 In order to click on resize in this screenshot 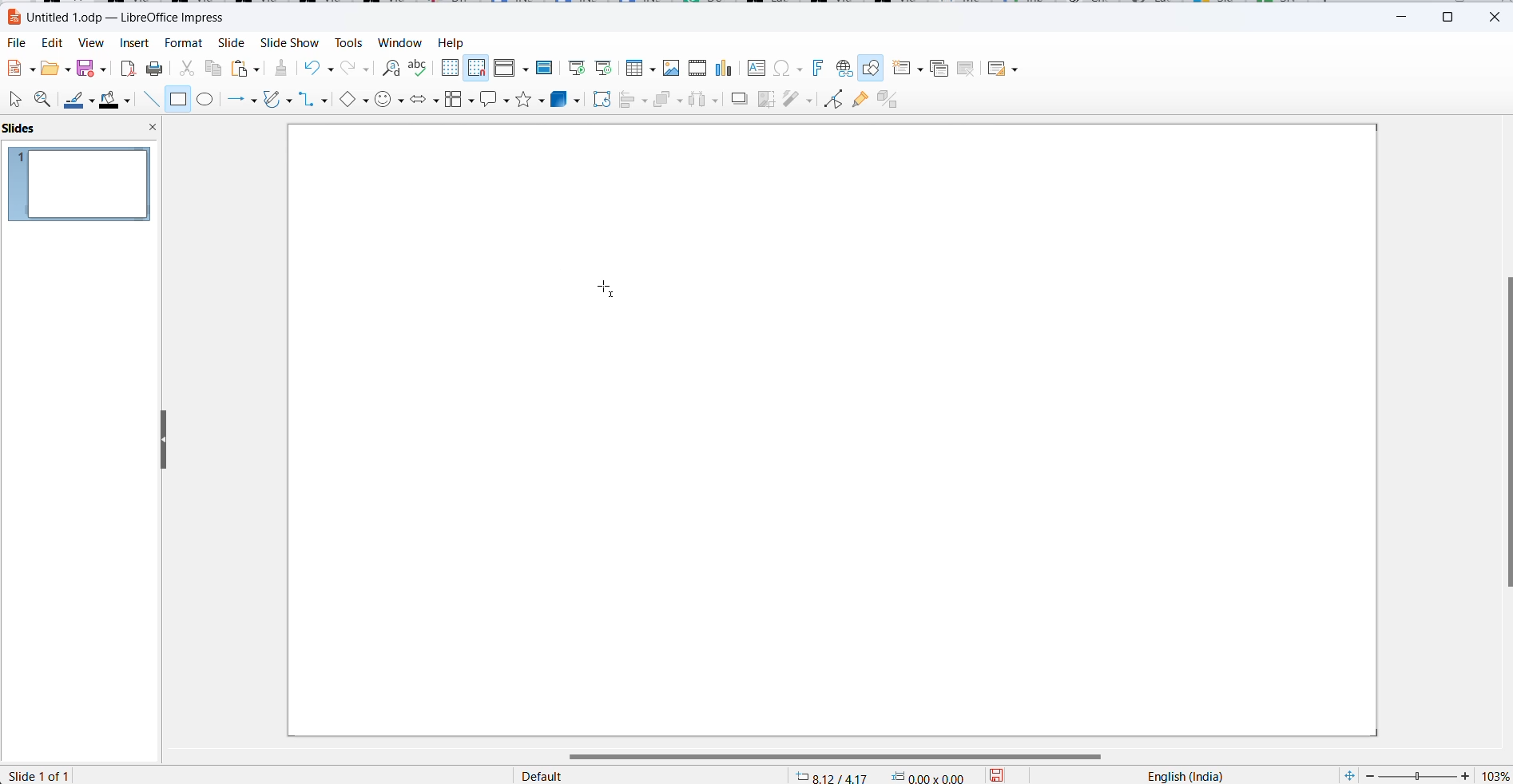, I will do `click(157, 438)`.